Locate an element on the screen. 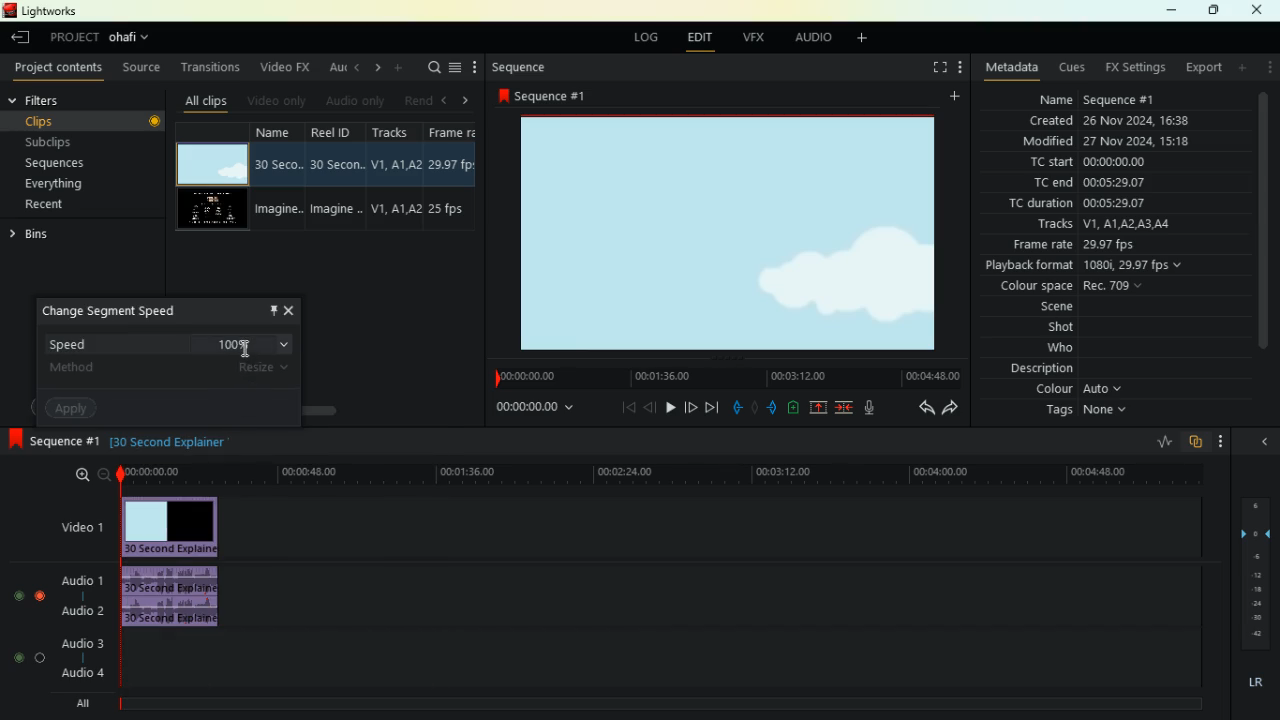 Image resolution: width=1280 pixels, height=720 pixels. scroll is located at coordinates (292, 404).